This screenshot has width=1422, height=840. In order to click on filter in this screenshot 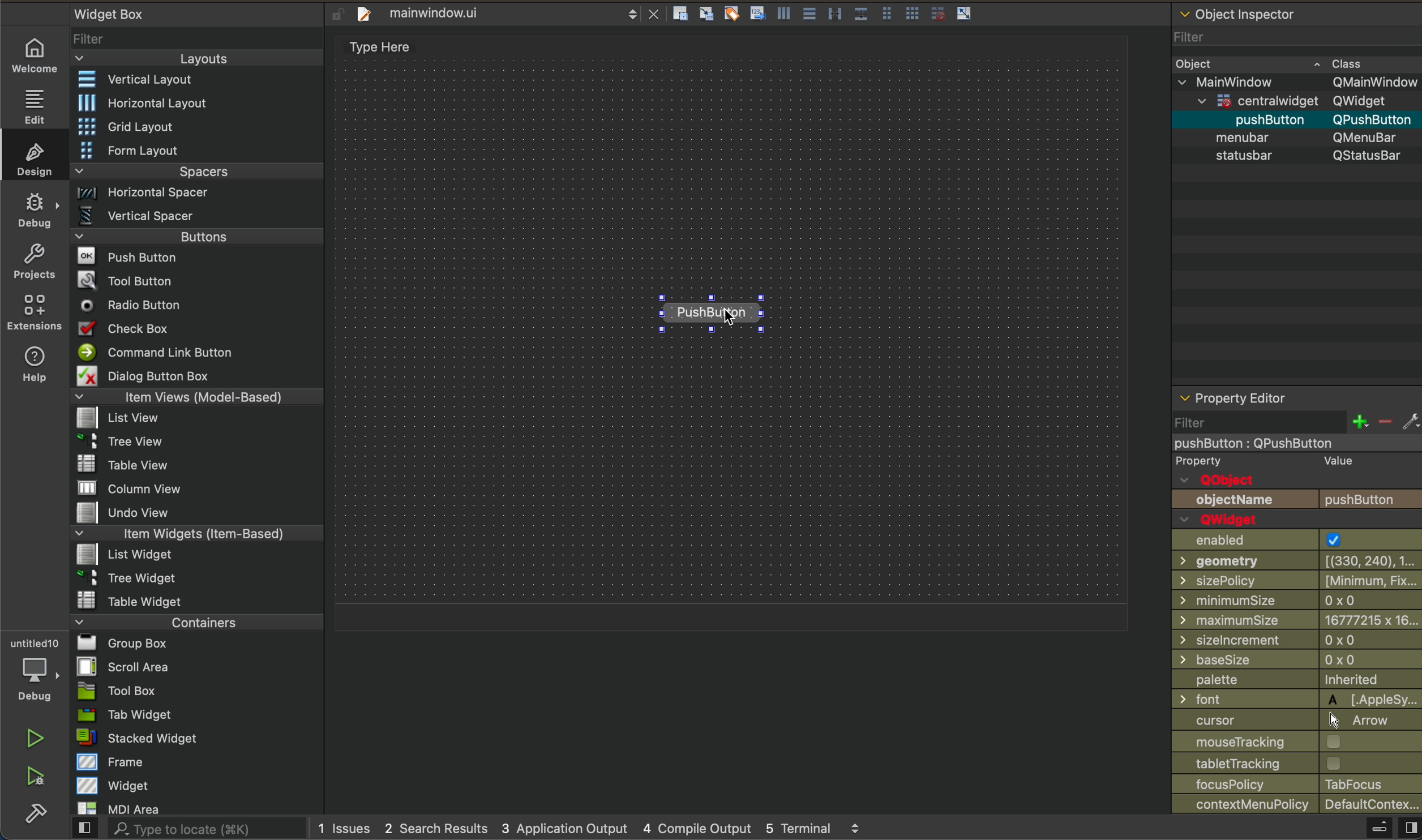, I will do `click(1295, 37)`.